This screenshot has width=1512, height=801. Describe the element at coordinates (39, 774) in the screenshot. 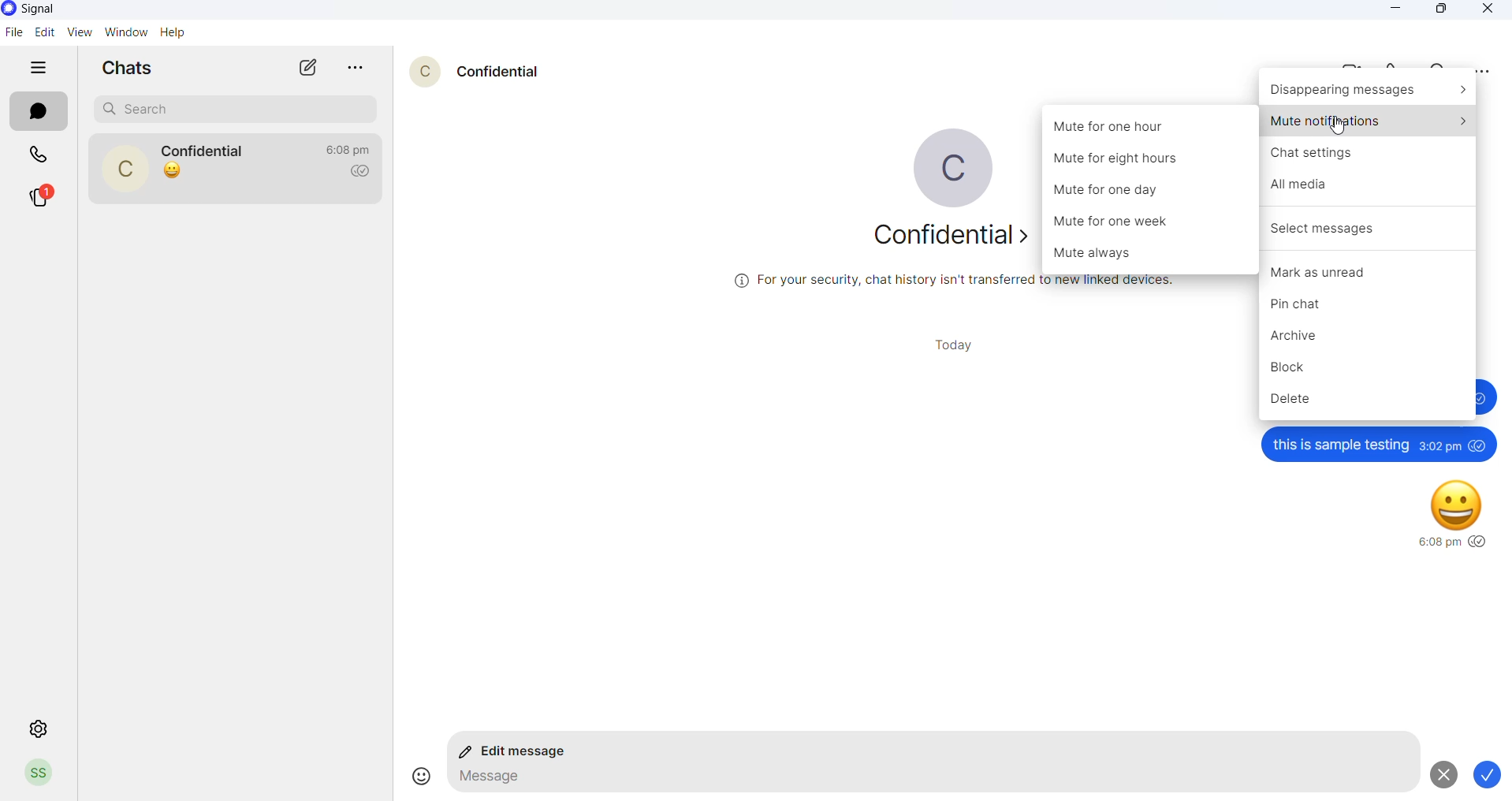

I see `profile picture` at that location.